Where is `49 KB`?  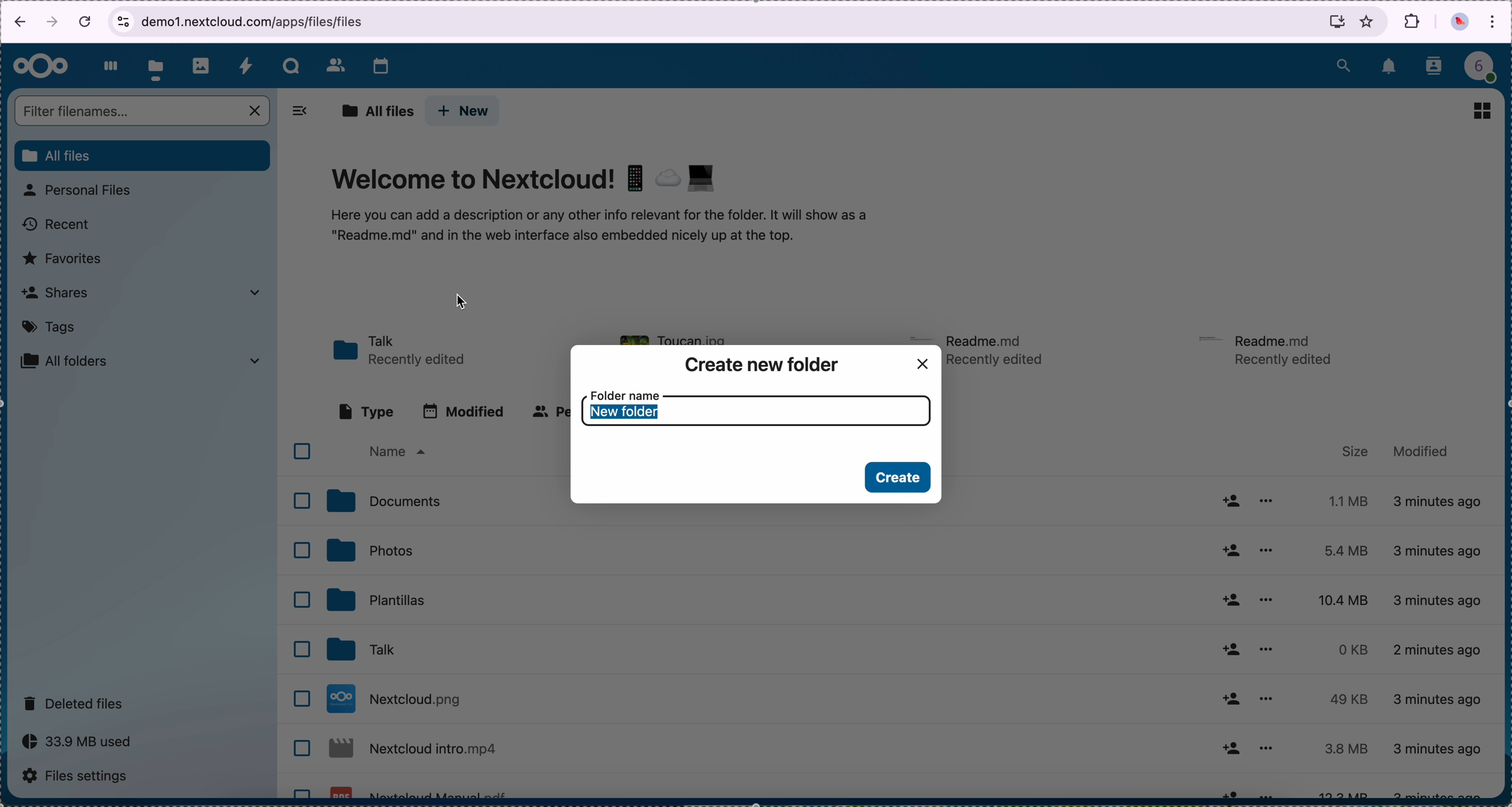 49 KB is located at coordinates (1348, 699).